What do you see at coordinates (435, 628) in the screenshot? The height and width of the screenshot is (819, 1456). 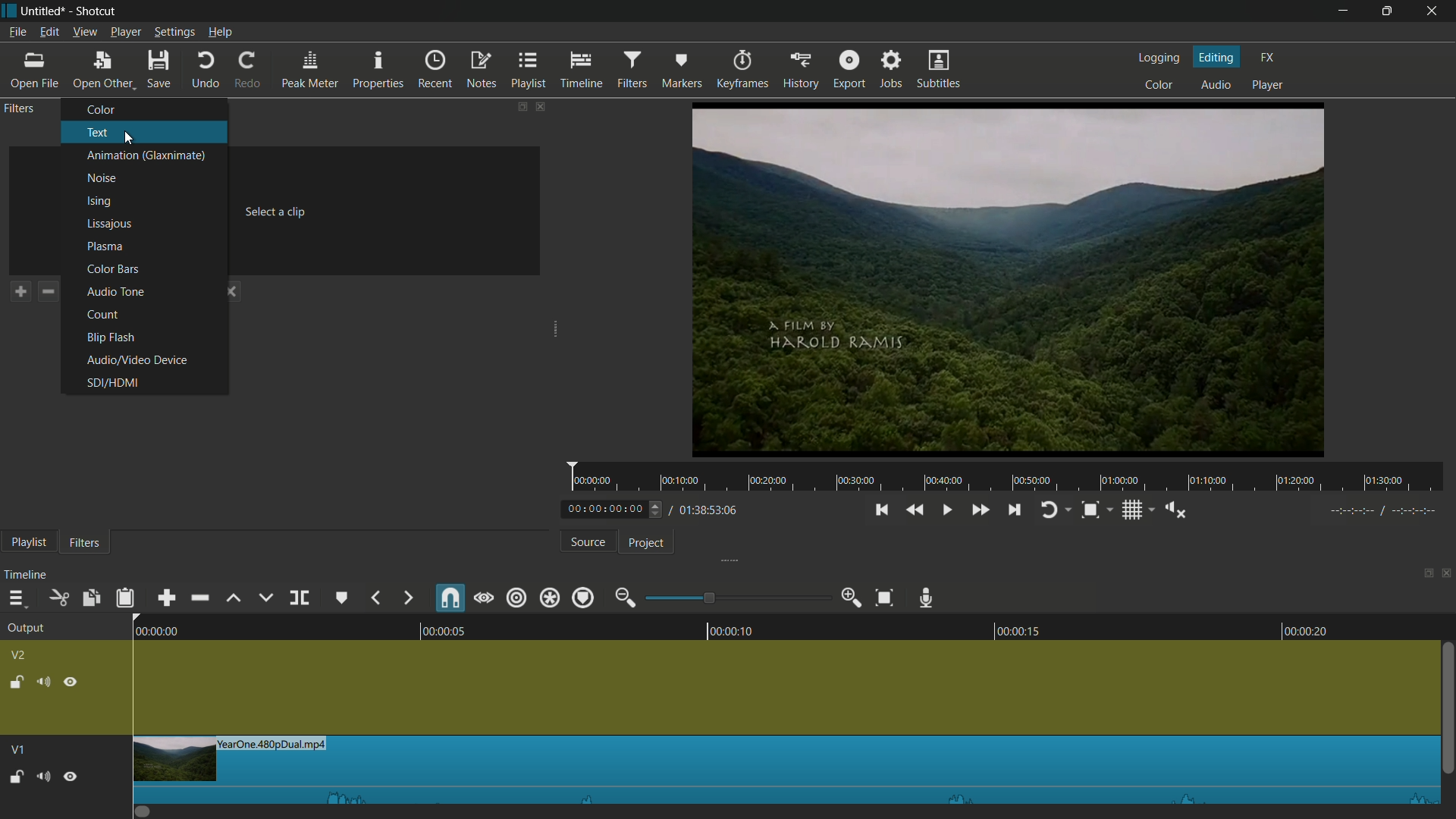 I see `00:00:05` at bounding box center [435, 628].